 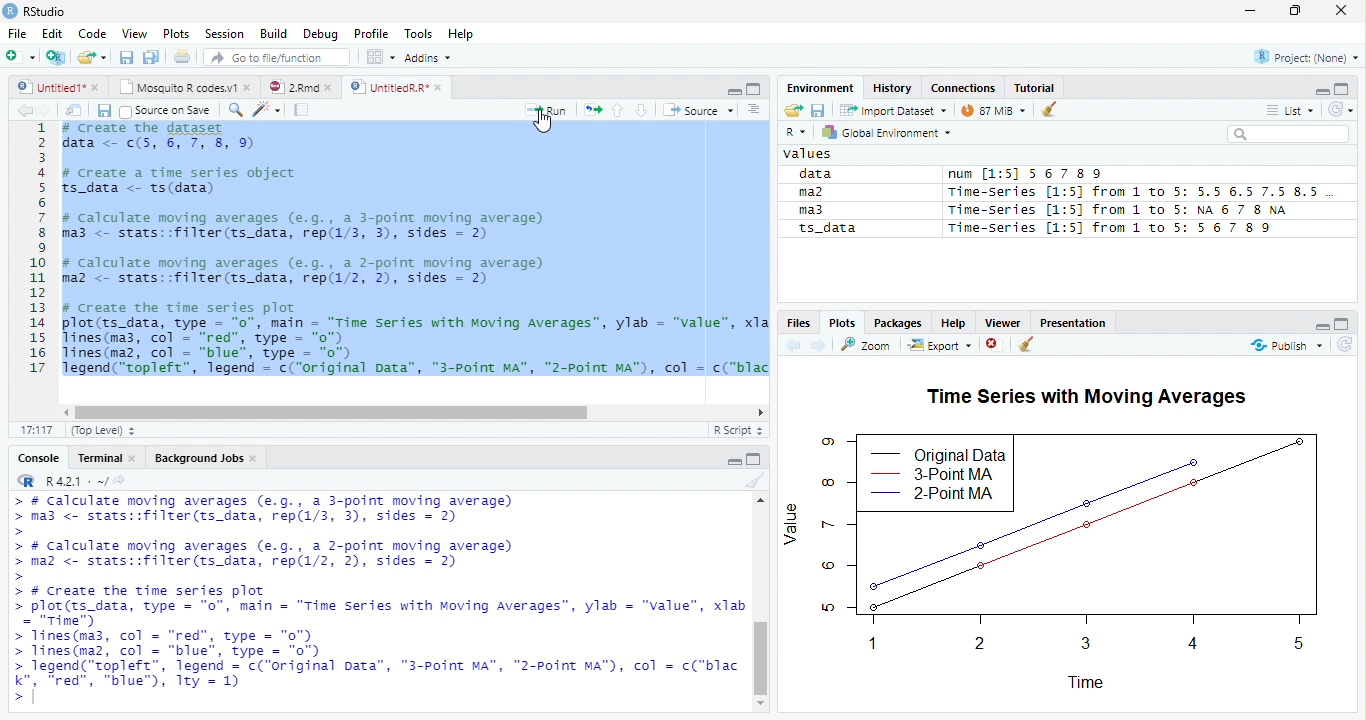 What do you see at coordinates (758, 413) in the screenshot?
I see `scrollbar right` at bounding box center [758, 413].